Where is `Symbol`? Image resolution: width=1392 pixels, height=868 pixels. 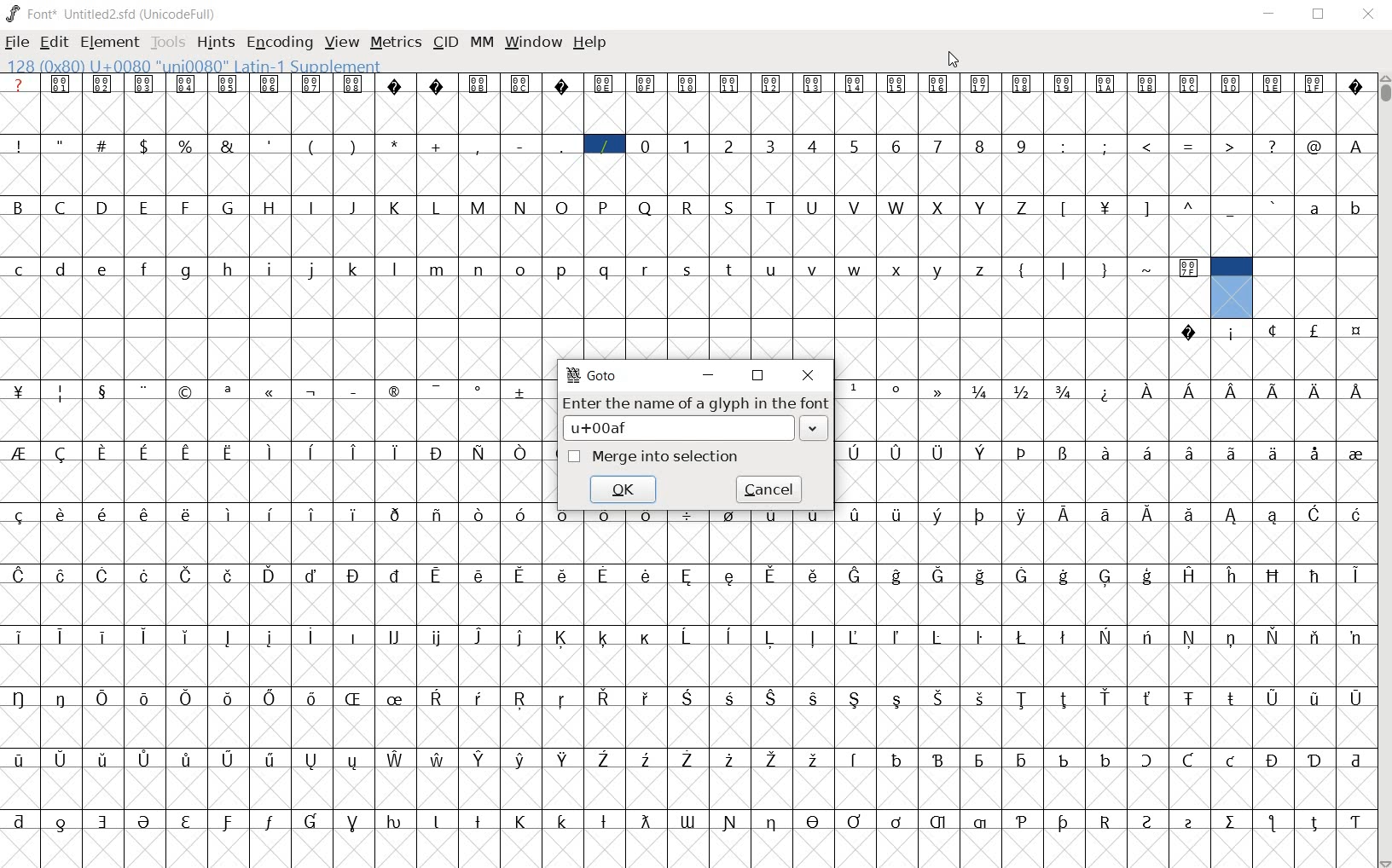 Symbol is located at coordinates (357, 761).